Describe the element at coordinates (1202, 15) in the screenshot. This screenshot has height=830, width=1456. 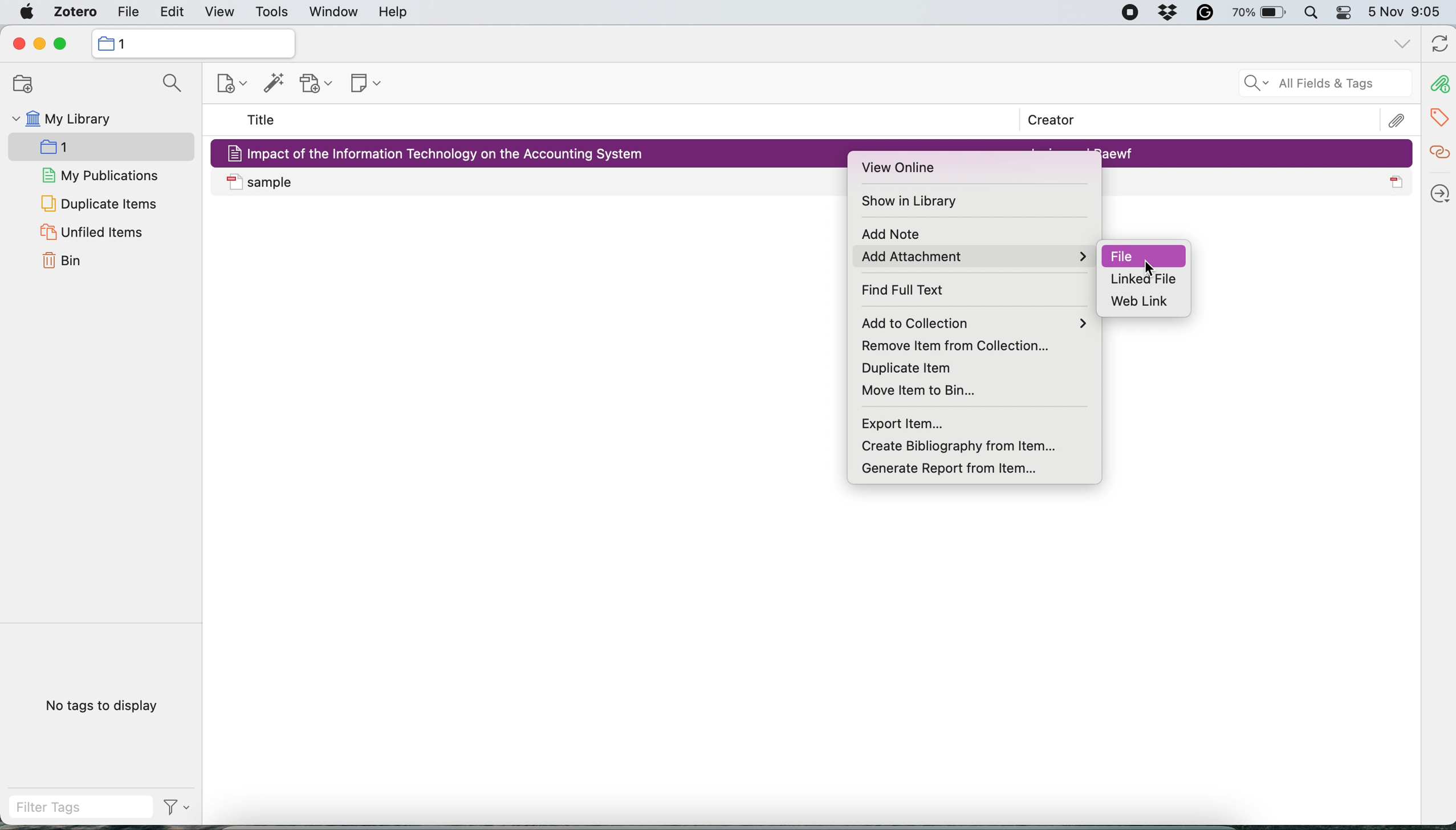
I see `grammarly` at that location.